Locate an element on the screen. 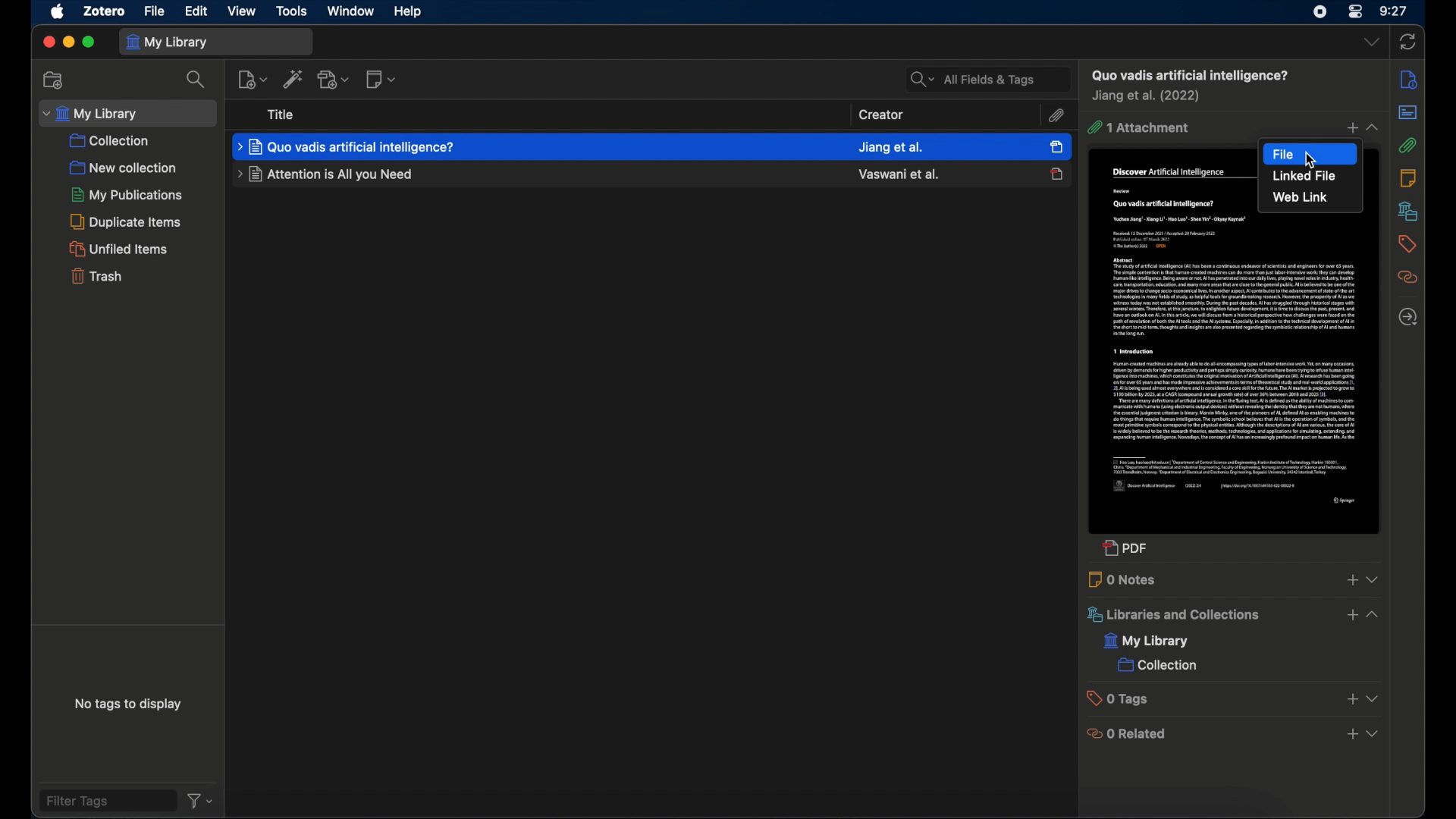 This screenshot has height=819, width=1456. web link is located at coordinates (1299, 198).